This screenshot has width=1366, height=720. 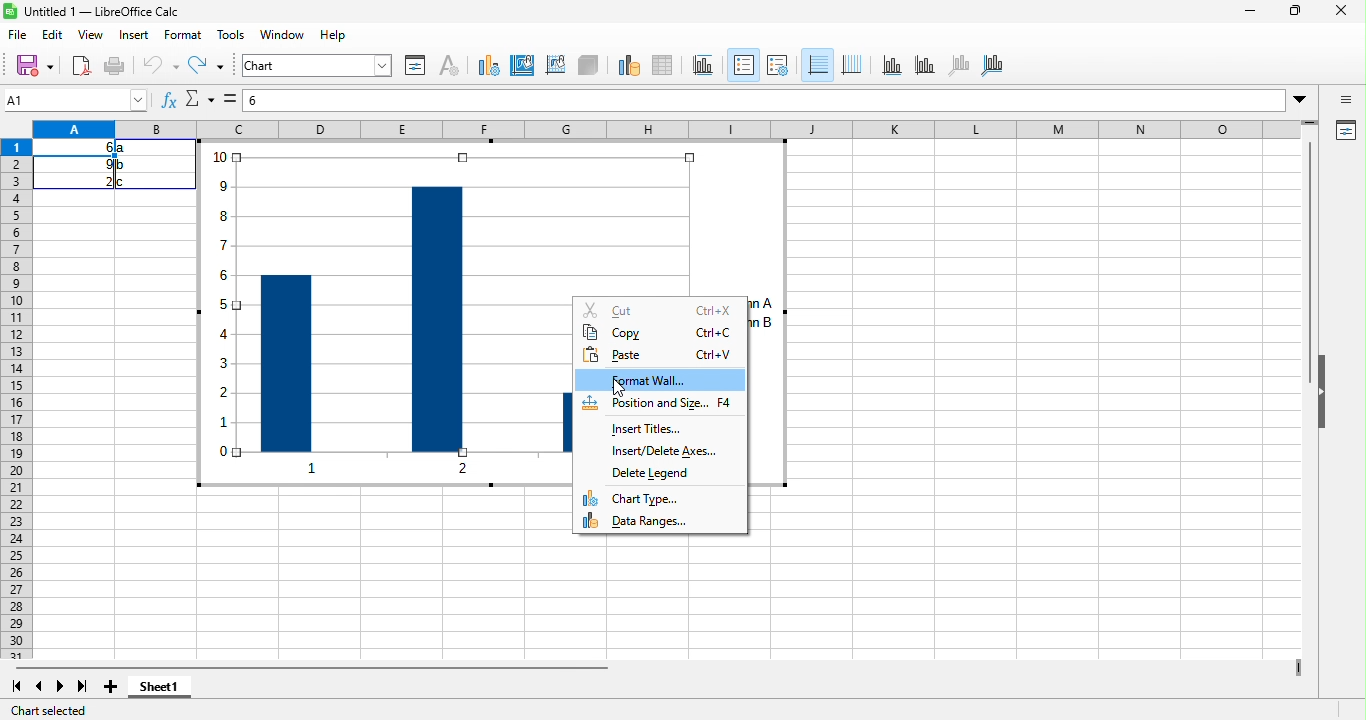 What do you see at coordinates (657, 474) in the screenshot?
I see `delete legend` at bounding box center [657, 474].